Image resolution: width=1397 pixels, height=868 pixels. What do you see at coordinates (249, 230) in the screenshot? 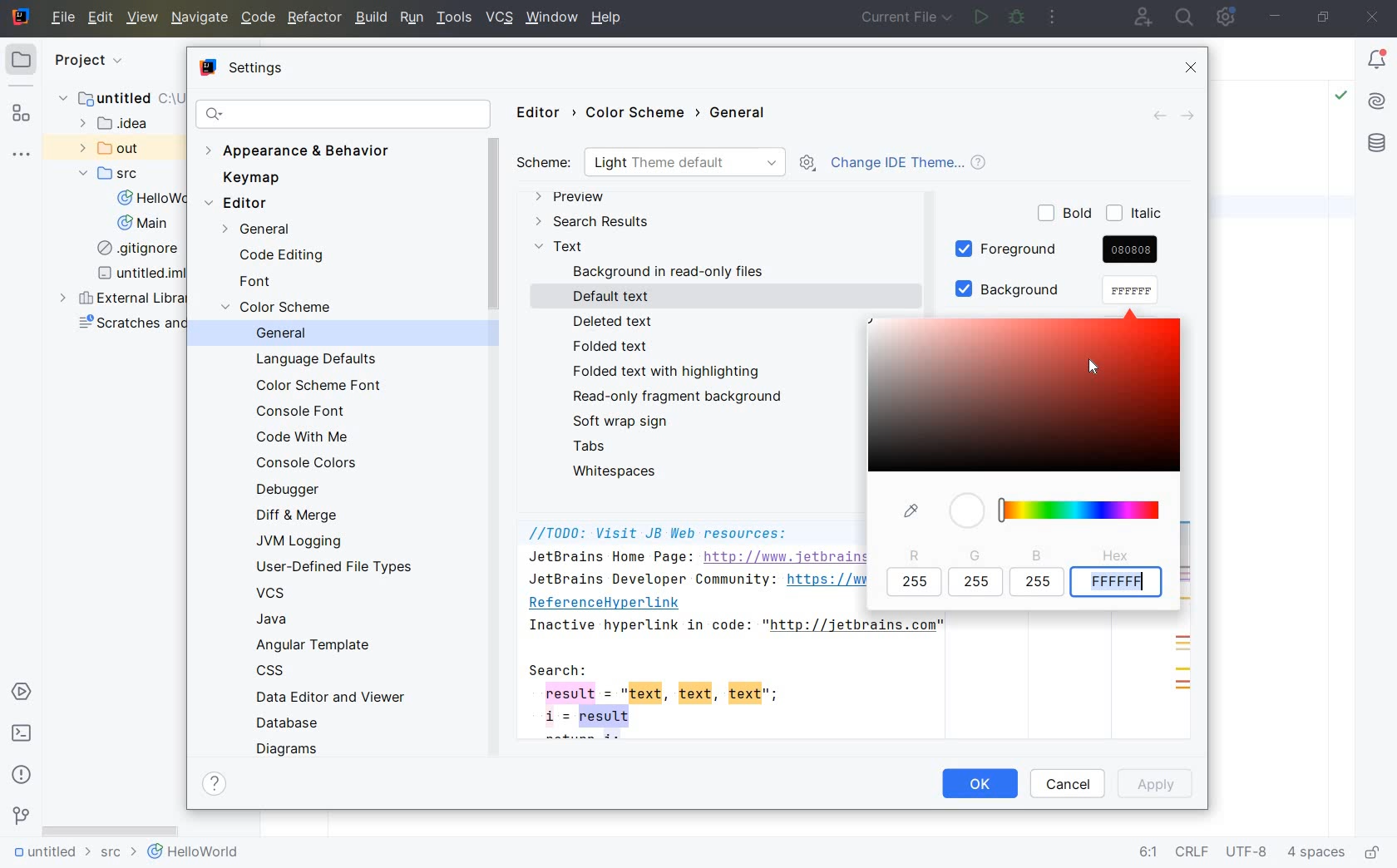
I see `GENERAL` at bounding box center [249, 230].